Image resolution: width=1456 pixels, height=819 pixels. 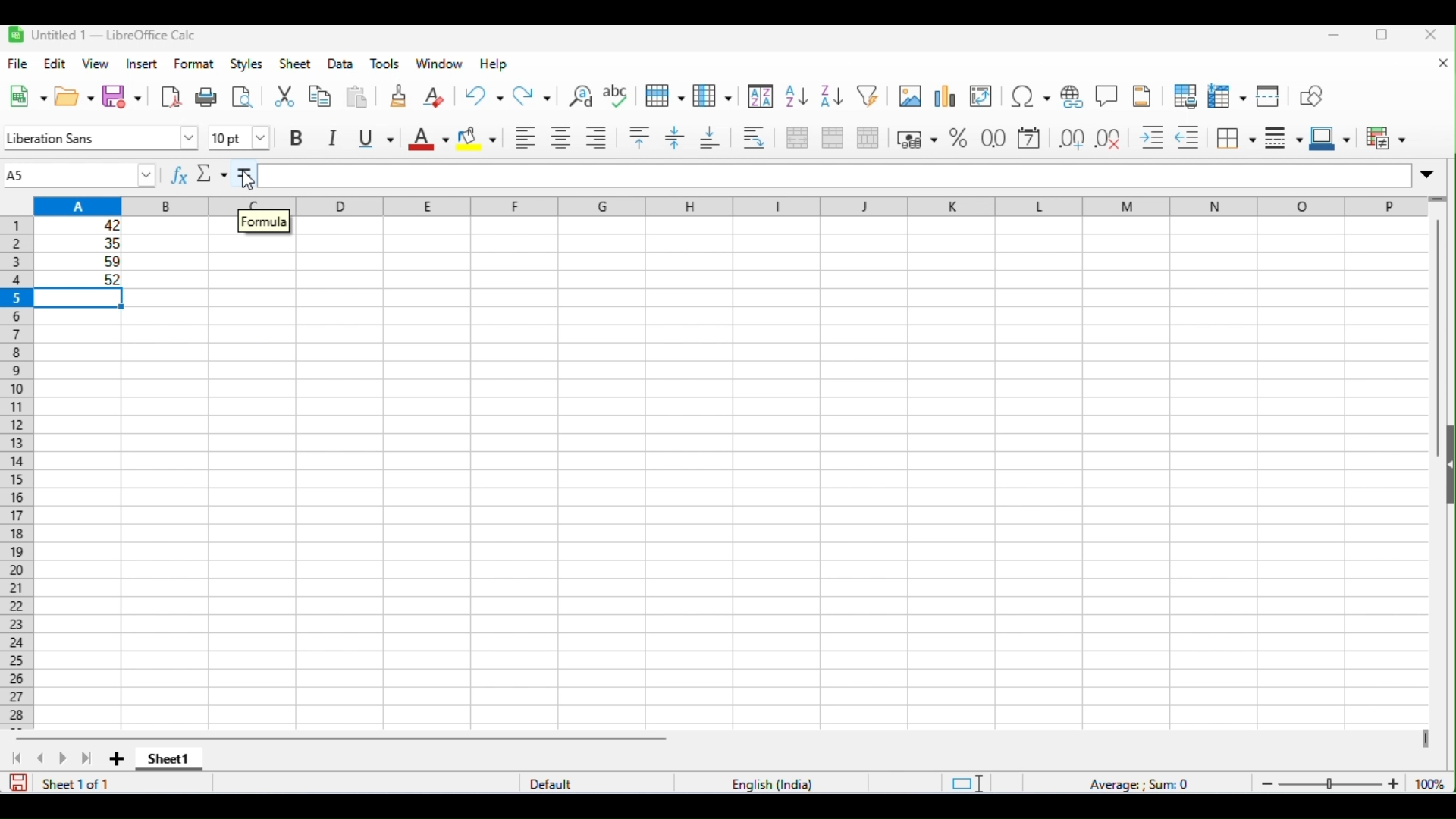 What do you see at coordinates (523, 137) in the screenshot?
I see `align left` at bounding box center [523, 137].